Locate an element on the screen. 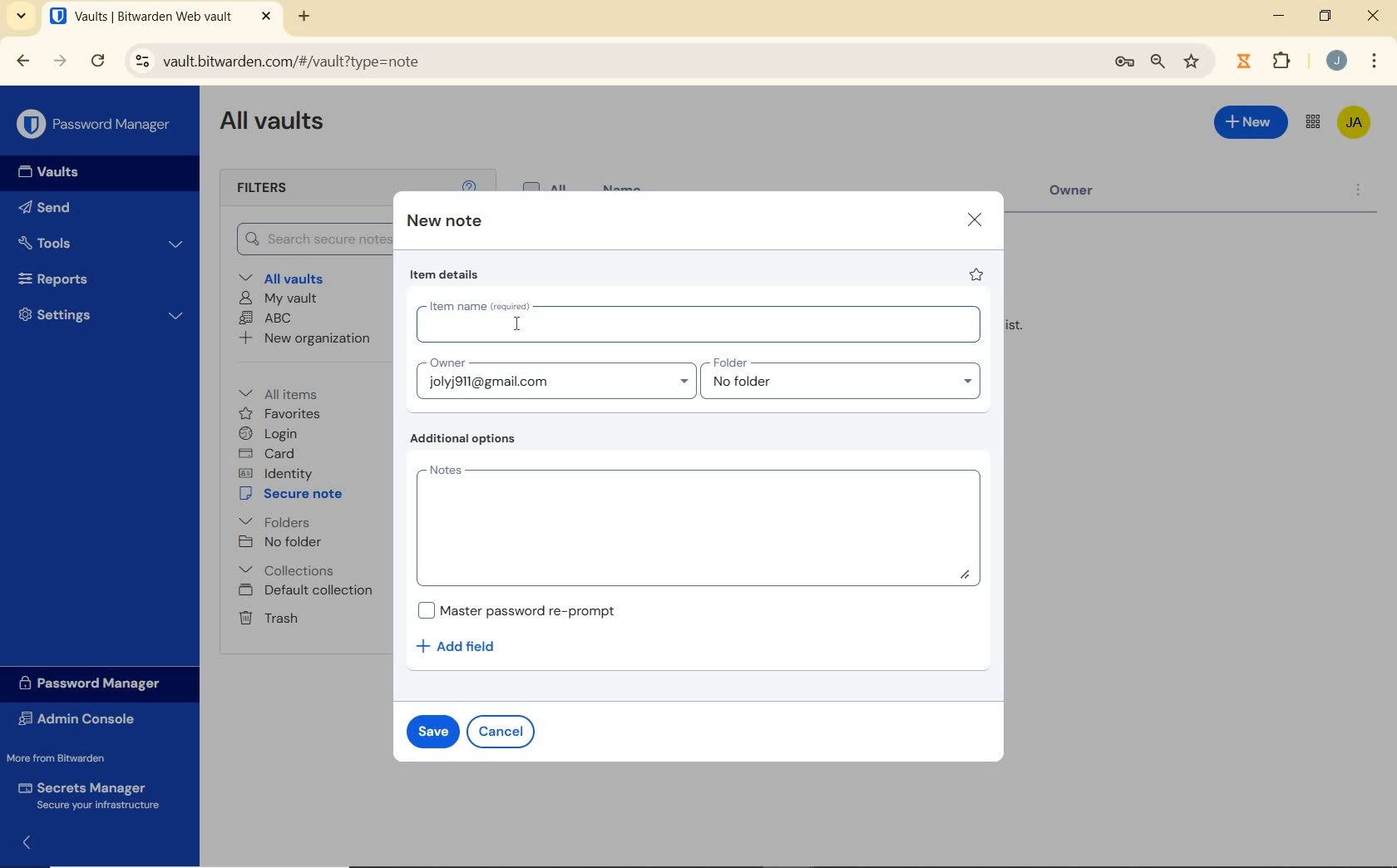 This screenshot has height=868, width=1397. backward is located at coordinates (23, 62).